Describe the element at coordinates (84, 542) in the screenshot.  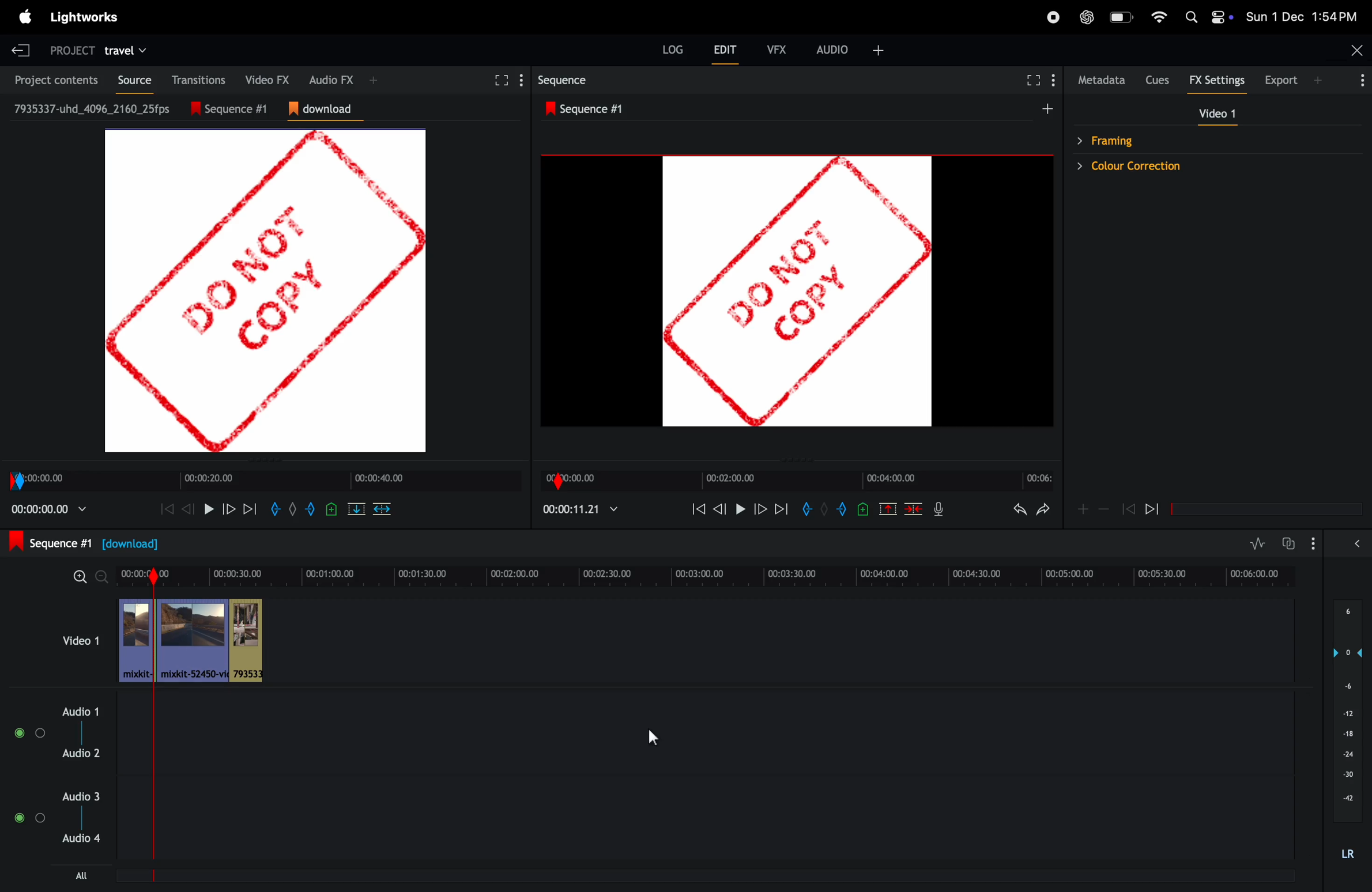
I see `sequence #1` at that location.